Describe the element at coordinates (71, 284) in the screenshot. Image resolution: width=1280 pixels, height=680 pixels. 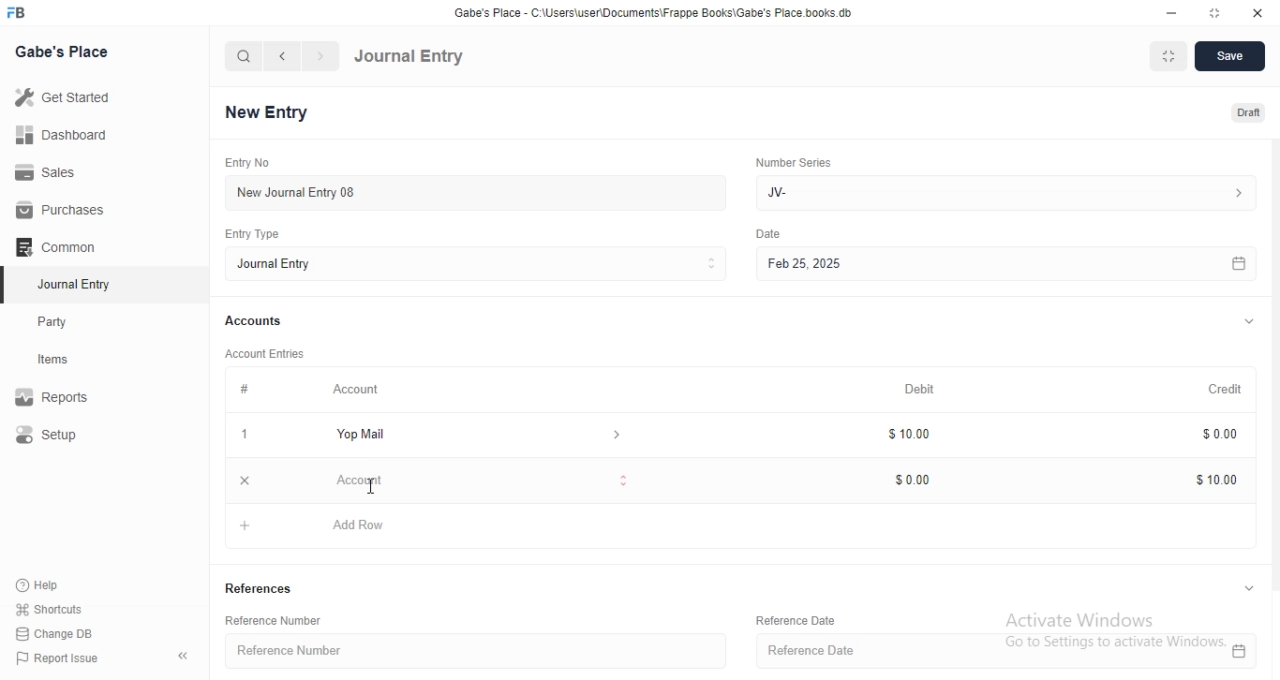
I see `Journal Entry` at that location.